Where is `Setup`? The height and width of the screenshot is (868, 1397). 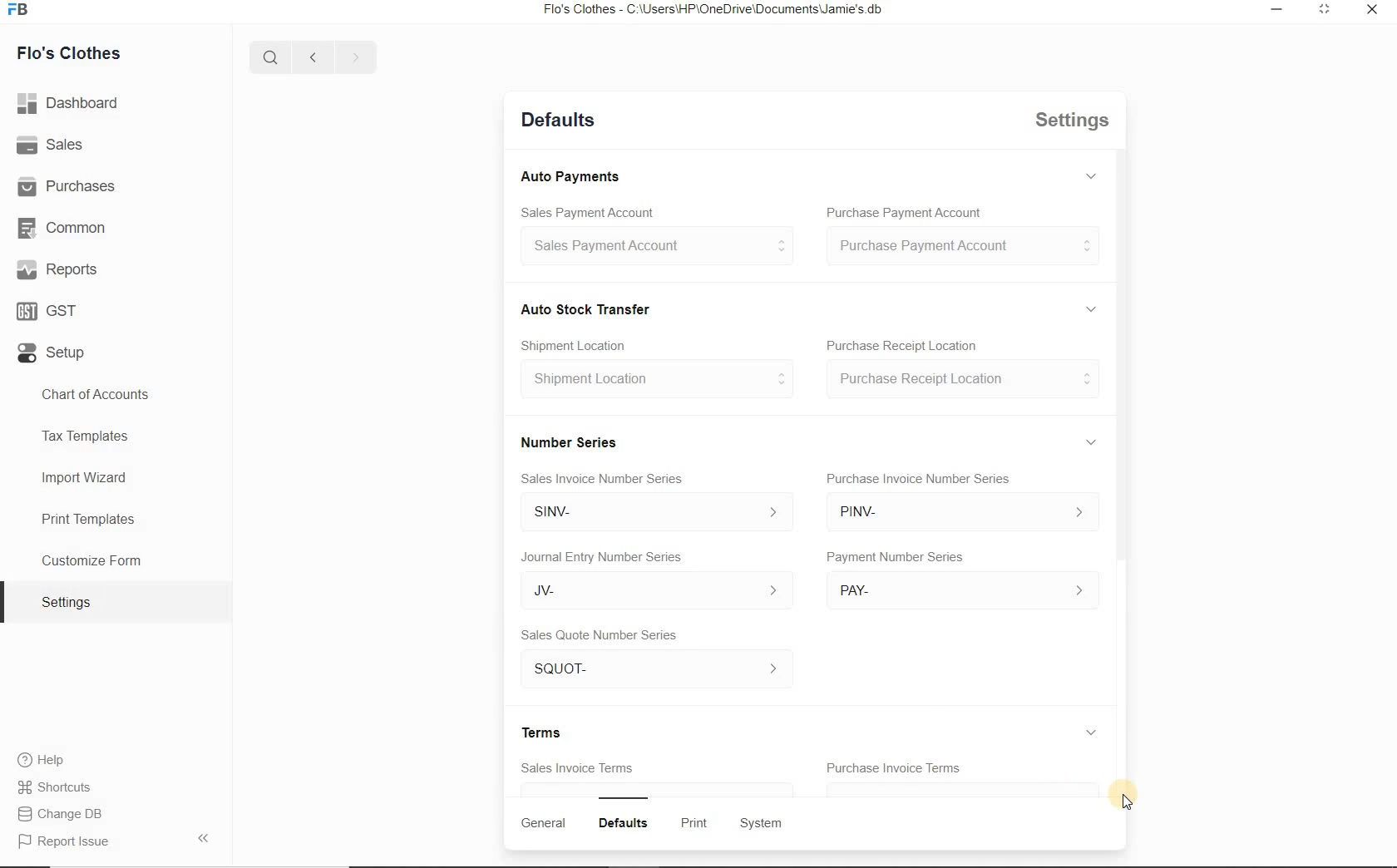 Setup is located at coordinates (50, 357).